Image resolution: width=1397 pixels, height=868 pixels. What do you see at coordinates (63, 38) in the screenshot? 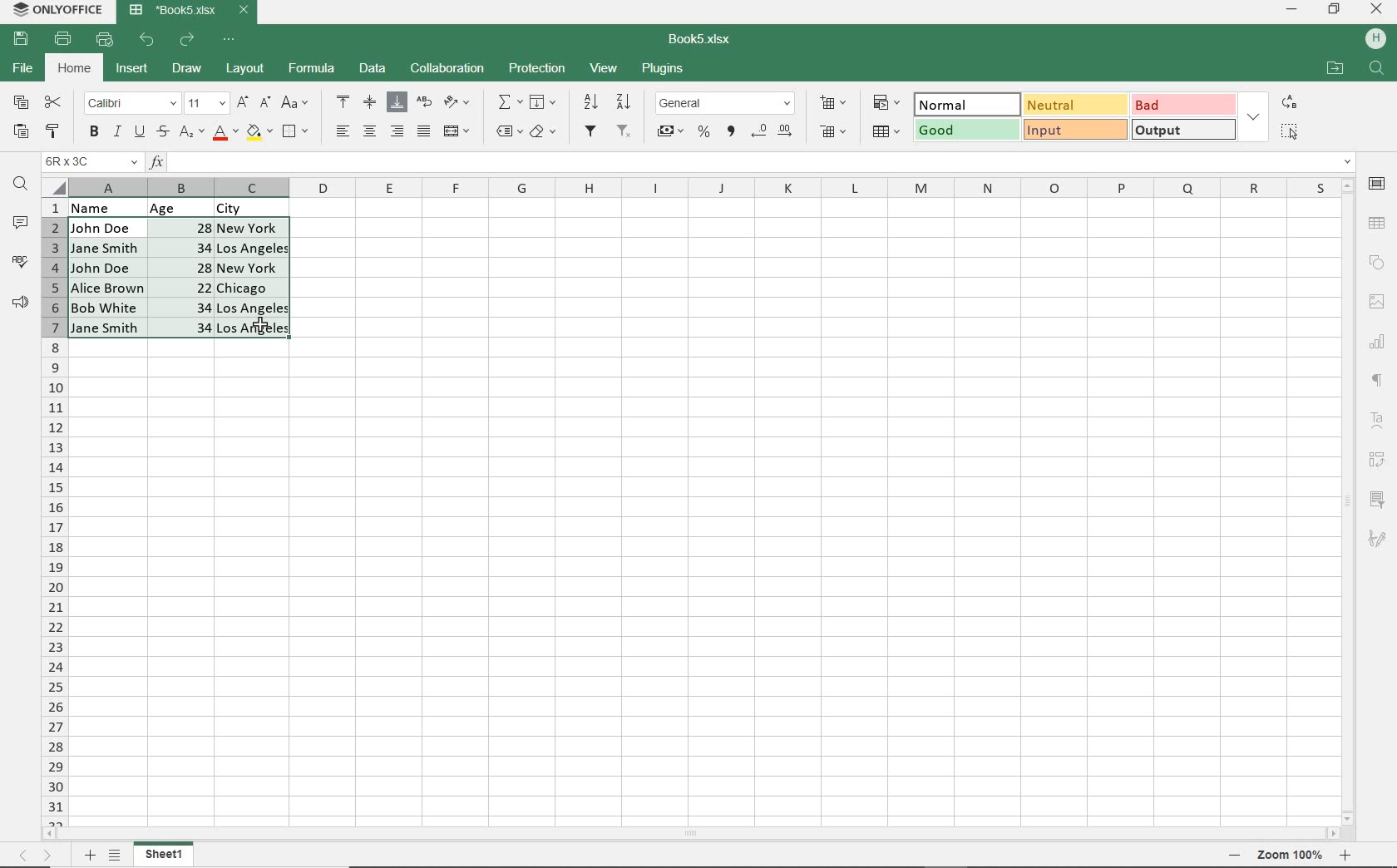
I see `PRINT` at bounding box center [63, 38].